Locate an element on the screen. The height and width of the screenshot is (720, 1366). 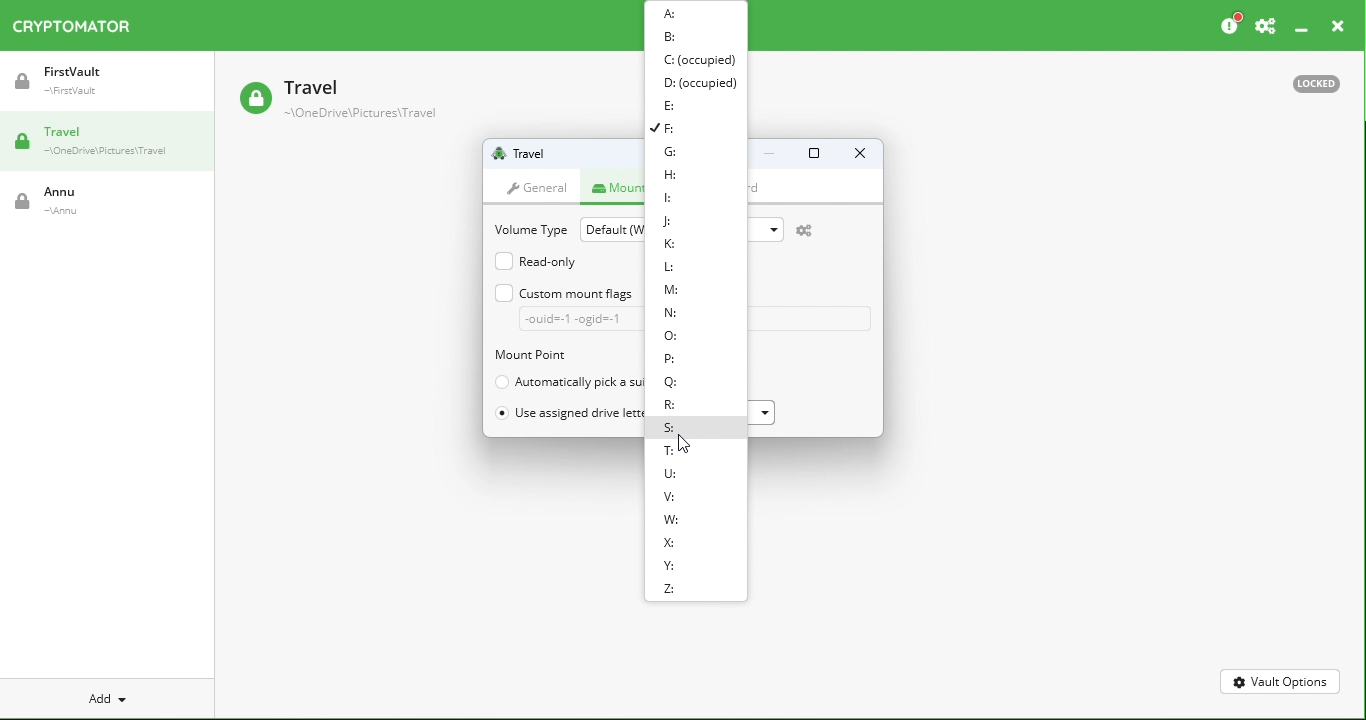
Please consider donating is located at coordinates (1229, 23).